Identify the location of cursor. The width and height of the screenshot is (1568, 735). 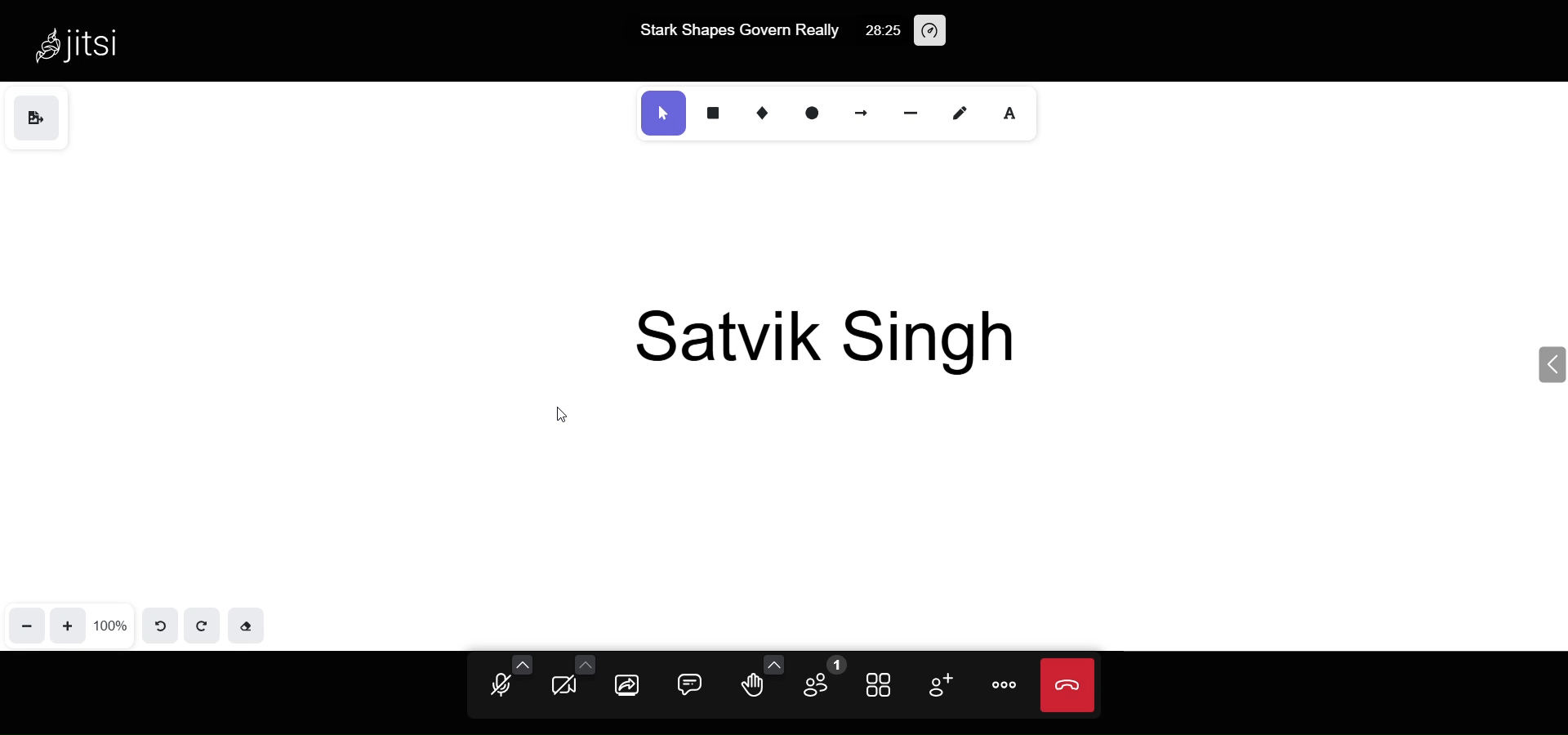
(567, 415).